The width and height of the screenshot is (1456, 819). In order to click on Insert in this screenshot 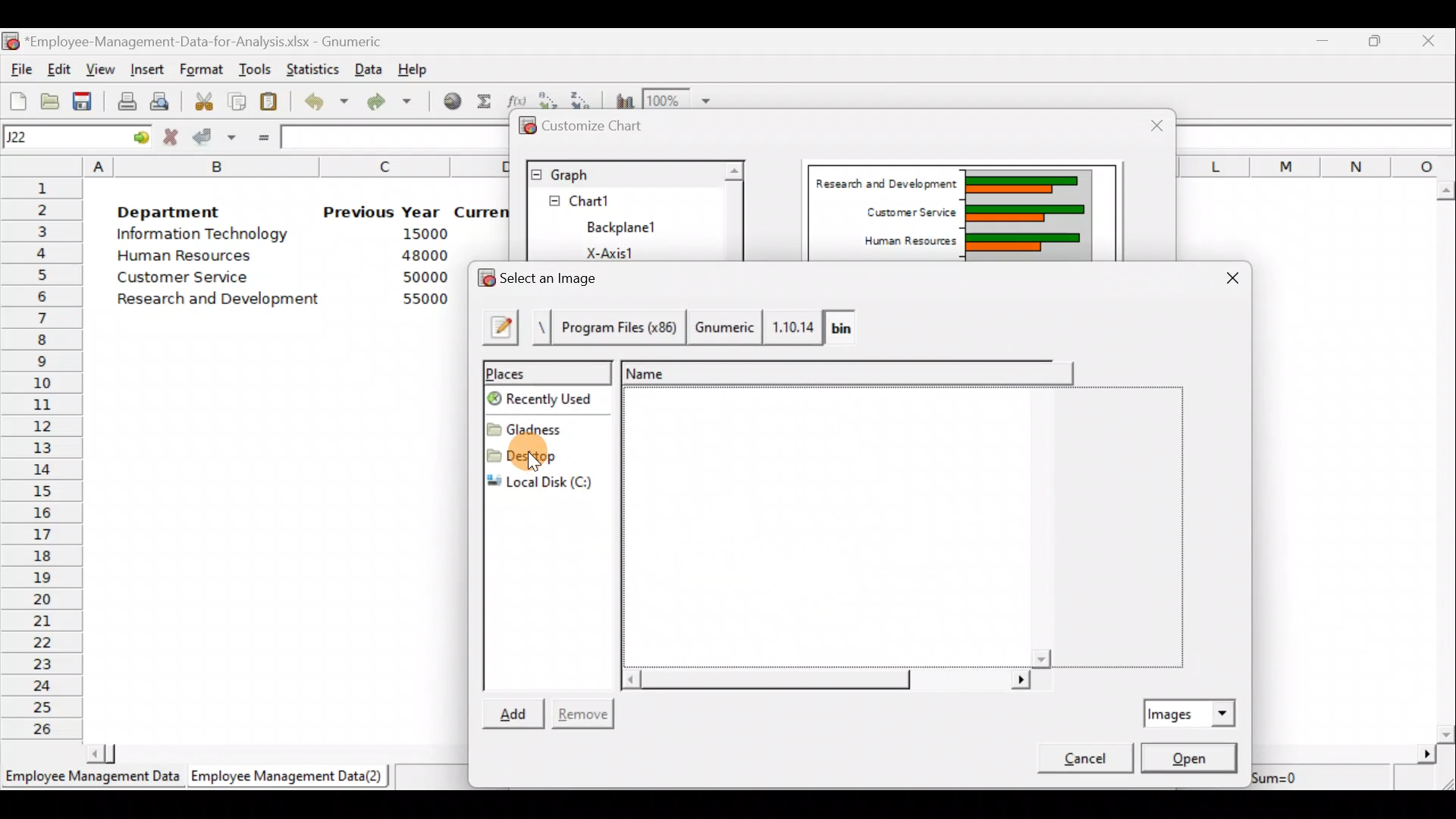, I will do `click(150, 67)`.